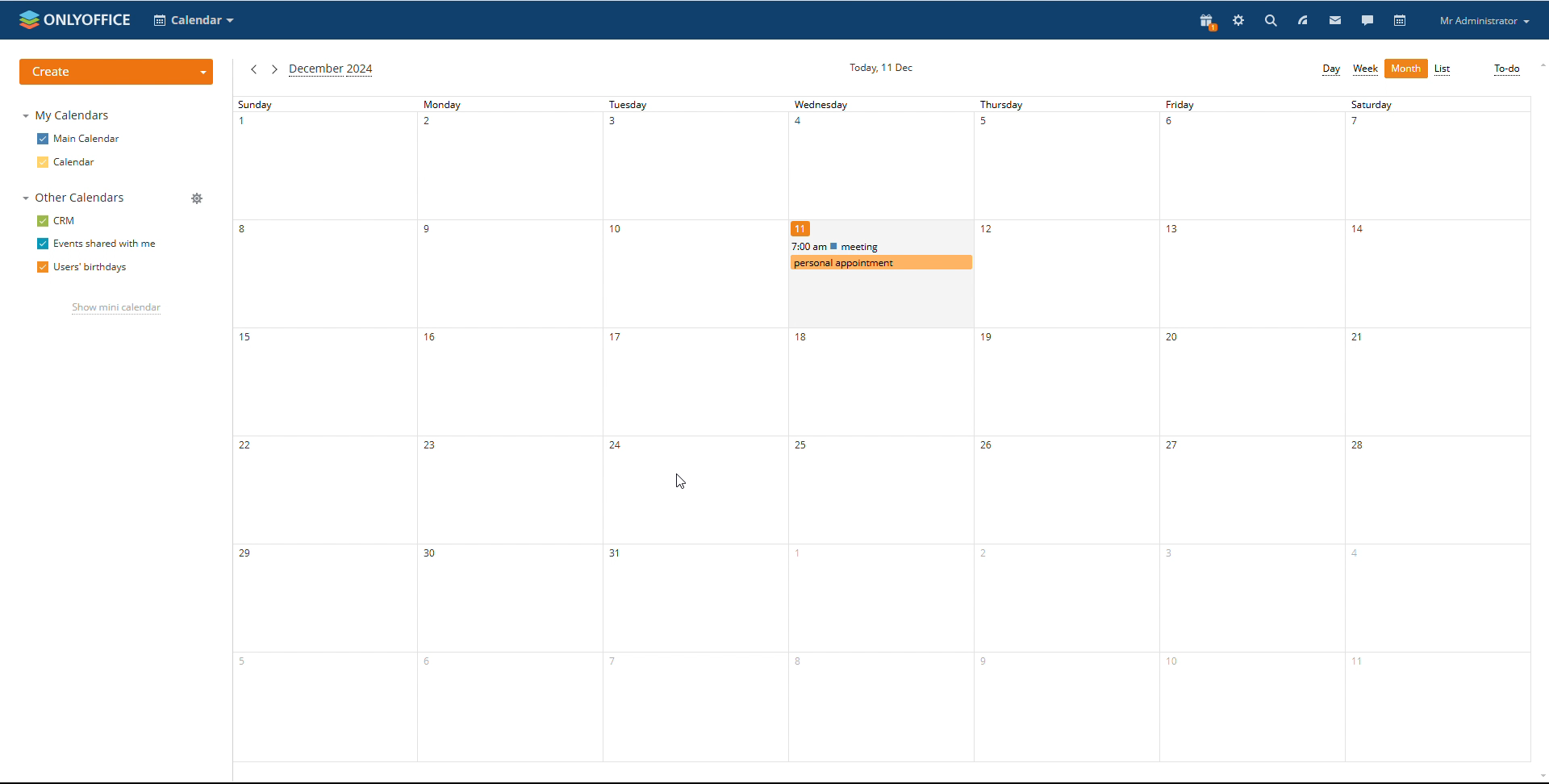  What do you see at coordinates (273, 70) in the screenshot?
I see `next month` at bounding box center [273, 70].